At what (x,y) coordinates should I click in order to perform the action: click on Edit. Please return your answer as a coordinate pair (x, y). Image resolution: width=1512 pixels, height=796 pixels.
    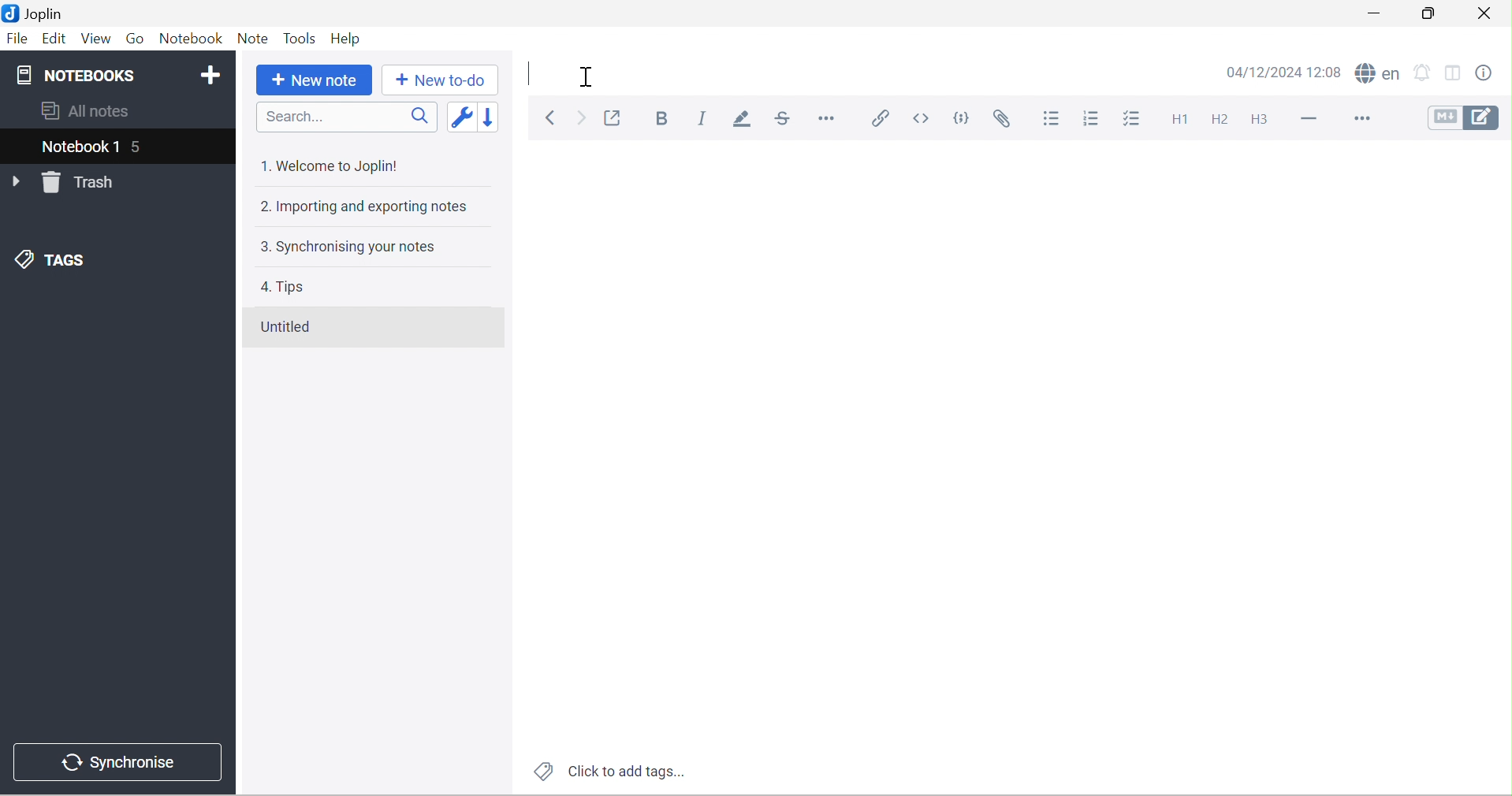
    Looking at the image, I should click on (54, 40).